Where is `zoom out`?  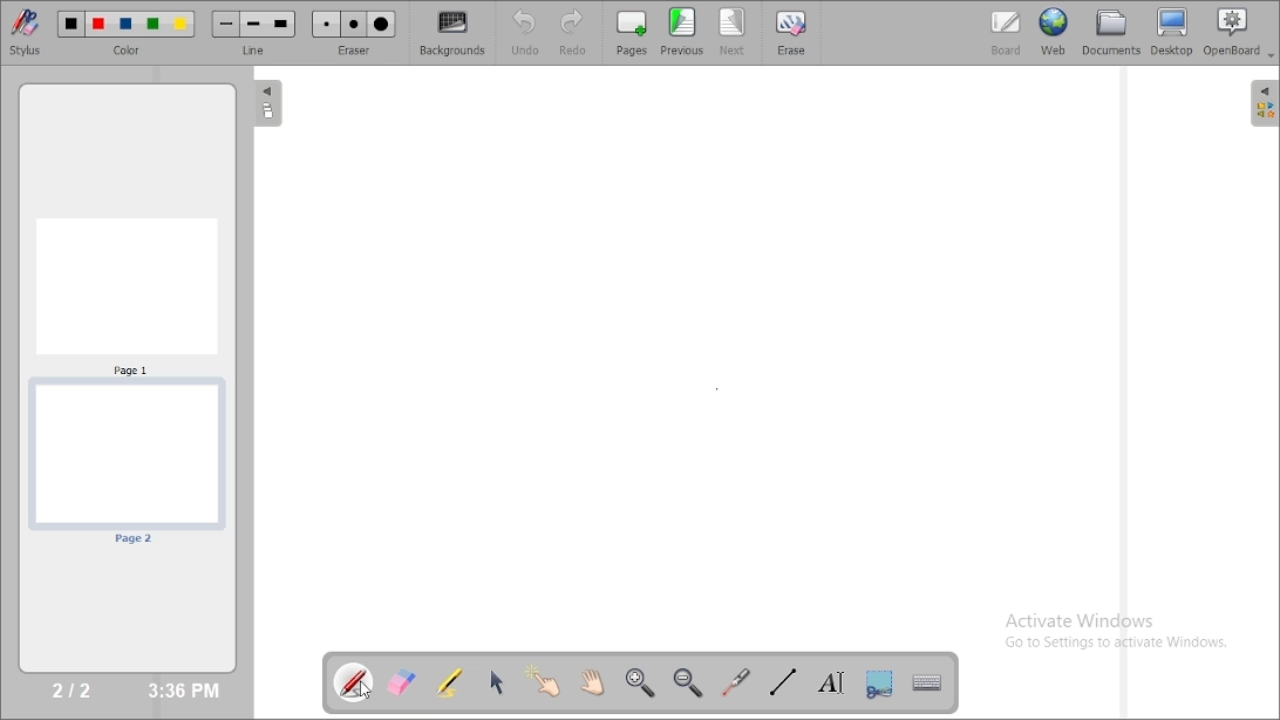
zoom out is located at coordinates (690, 683).